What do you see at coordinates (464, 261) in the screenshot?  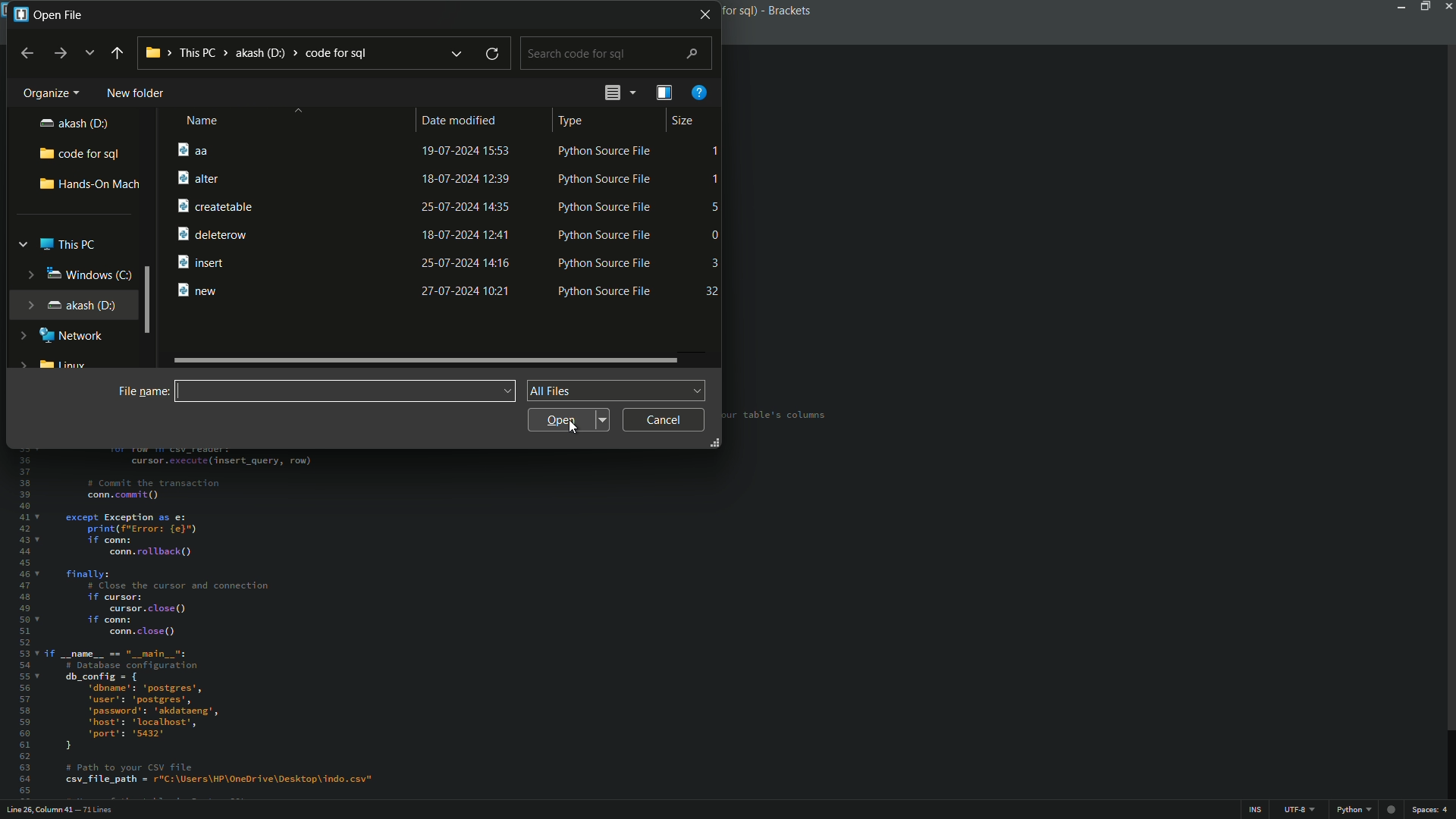 I see `25-07-2024 14:16` at bounding box center [464, 261].